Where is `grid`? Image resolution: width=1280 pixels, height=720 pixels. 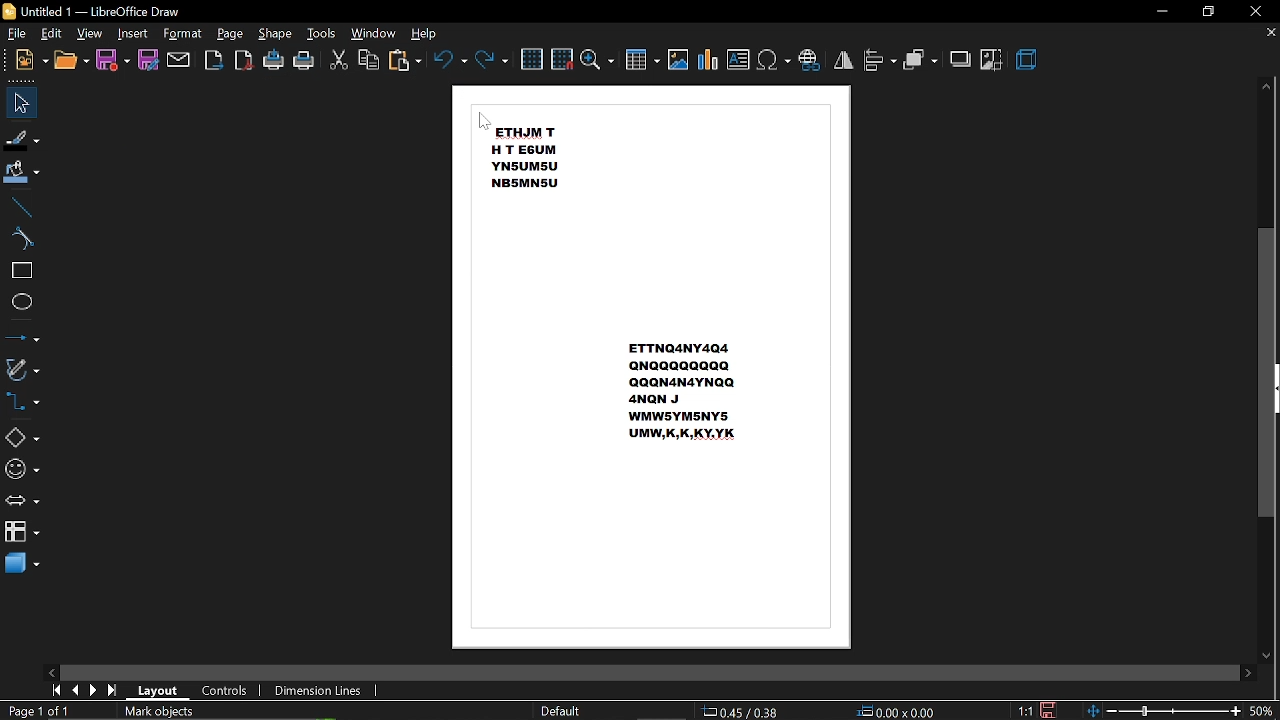
grid is located at coordinates (532, 58).